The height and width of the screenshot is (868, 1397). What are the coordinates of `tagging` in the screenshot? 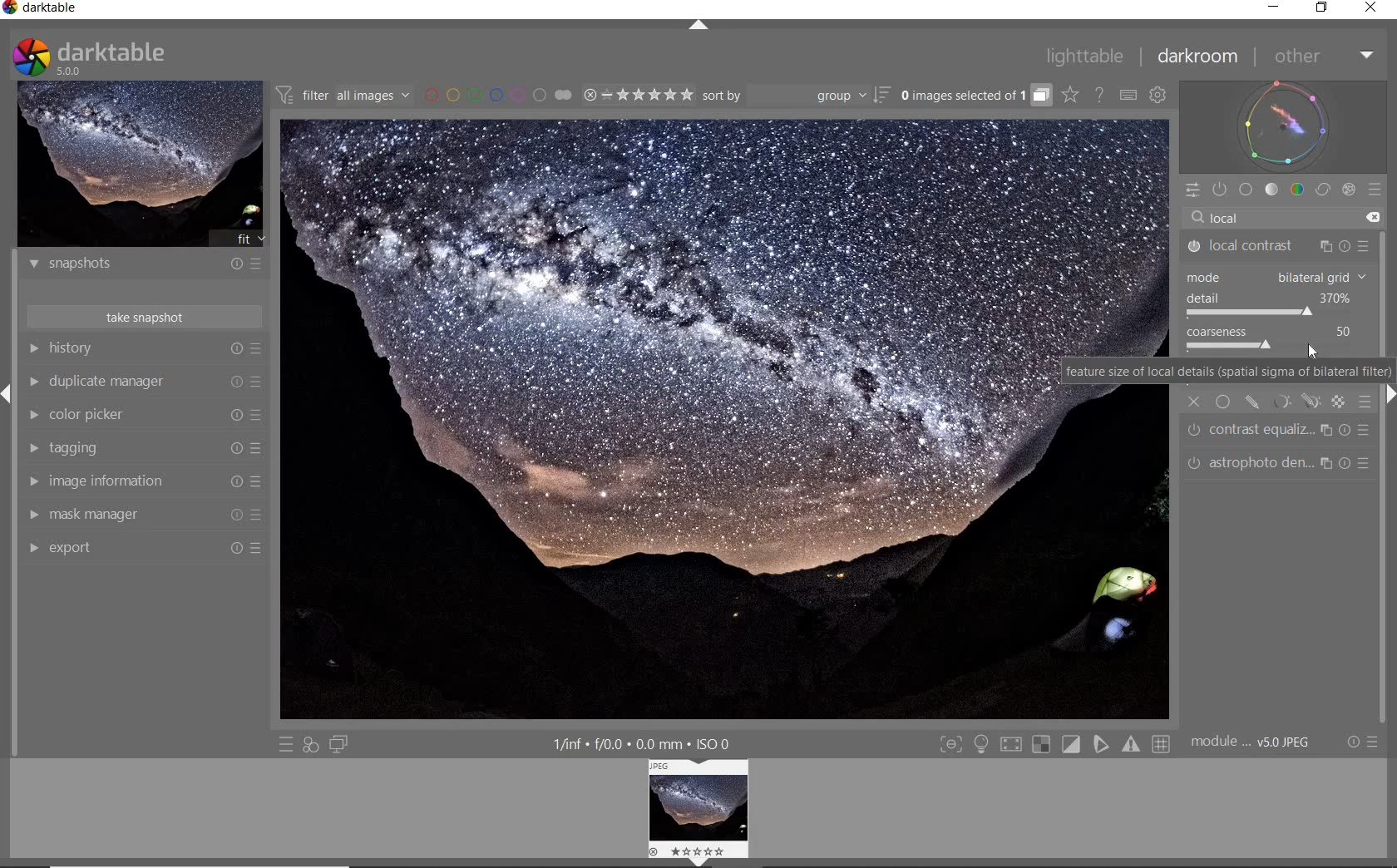 It's located at (86, 447).